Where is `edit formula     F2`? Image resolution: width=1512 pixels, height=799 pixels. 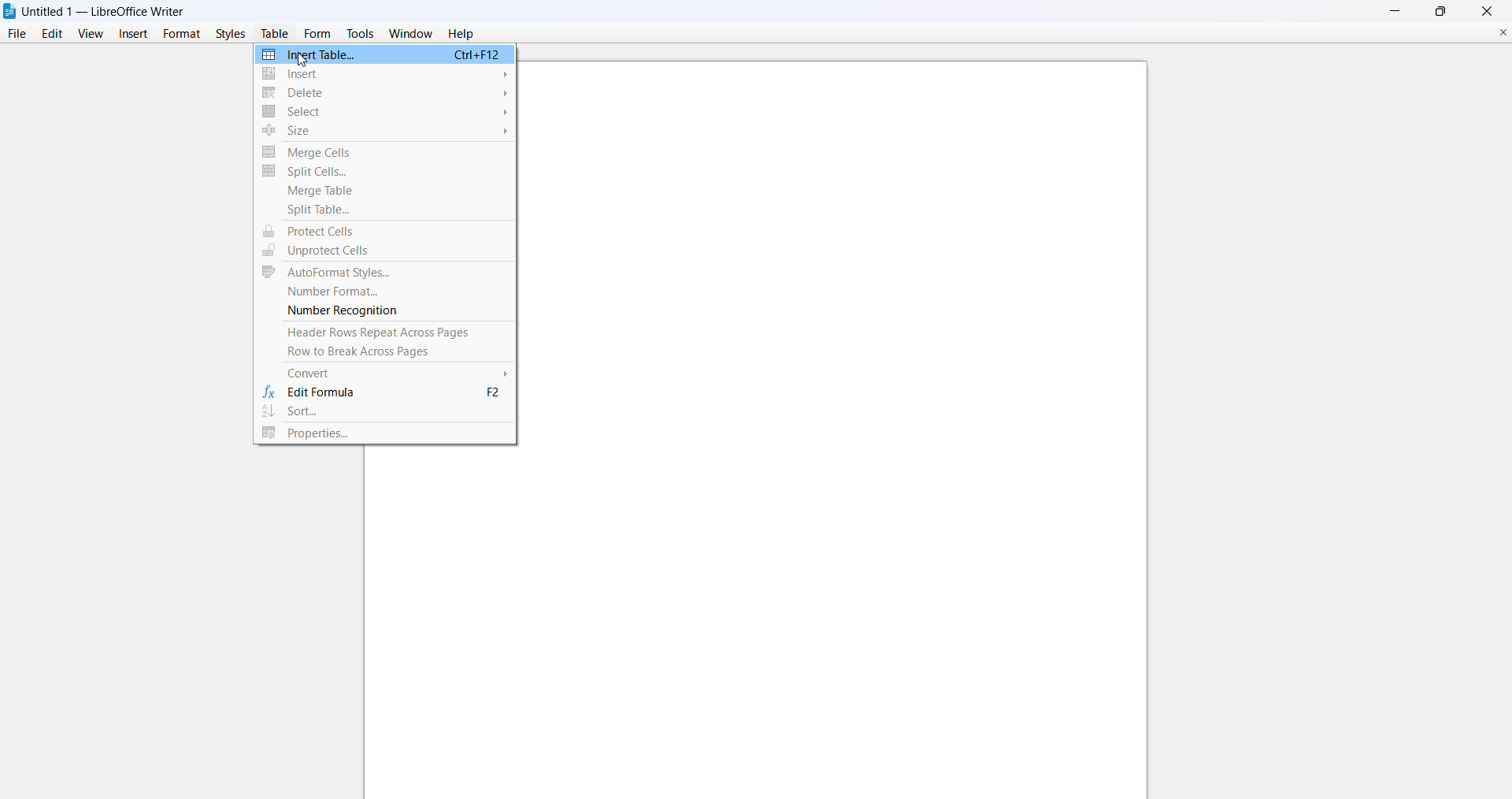
edit formula     F2 is located at coordinates (387, 393).